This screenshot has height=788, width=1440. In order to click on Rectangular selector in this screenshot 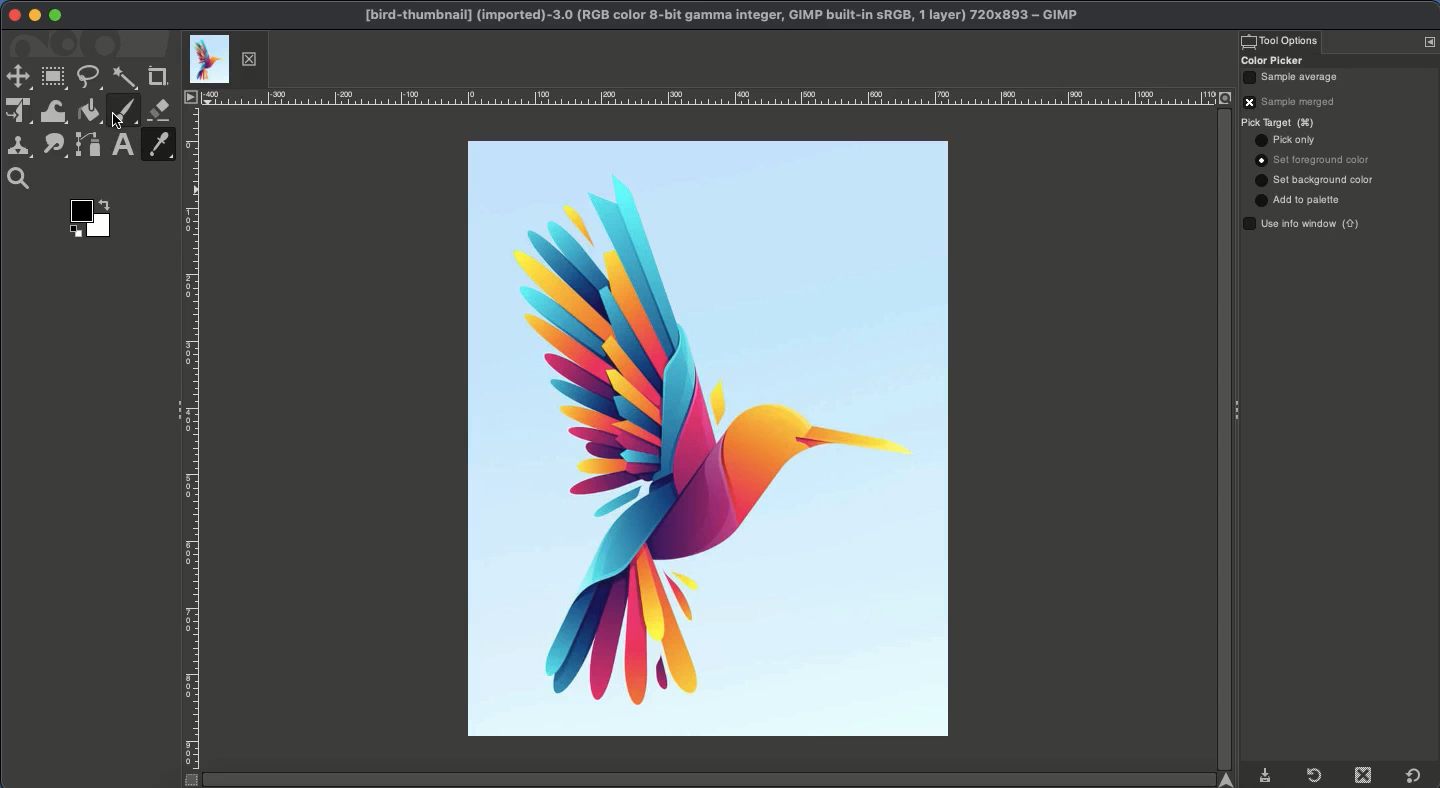, I will do `click(53, 78)`.